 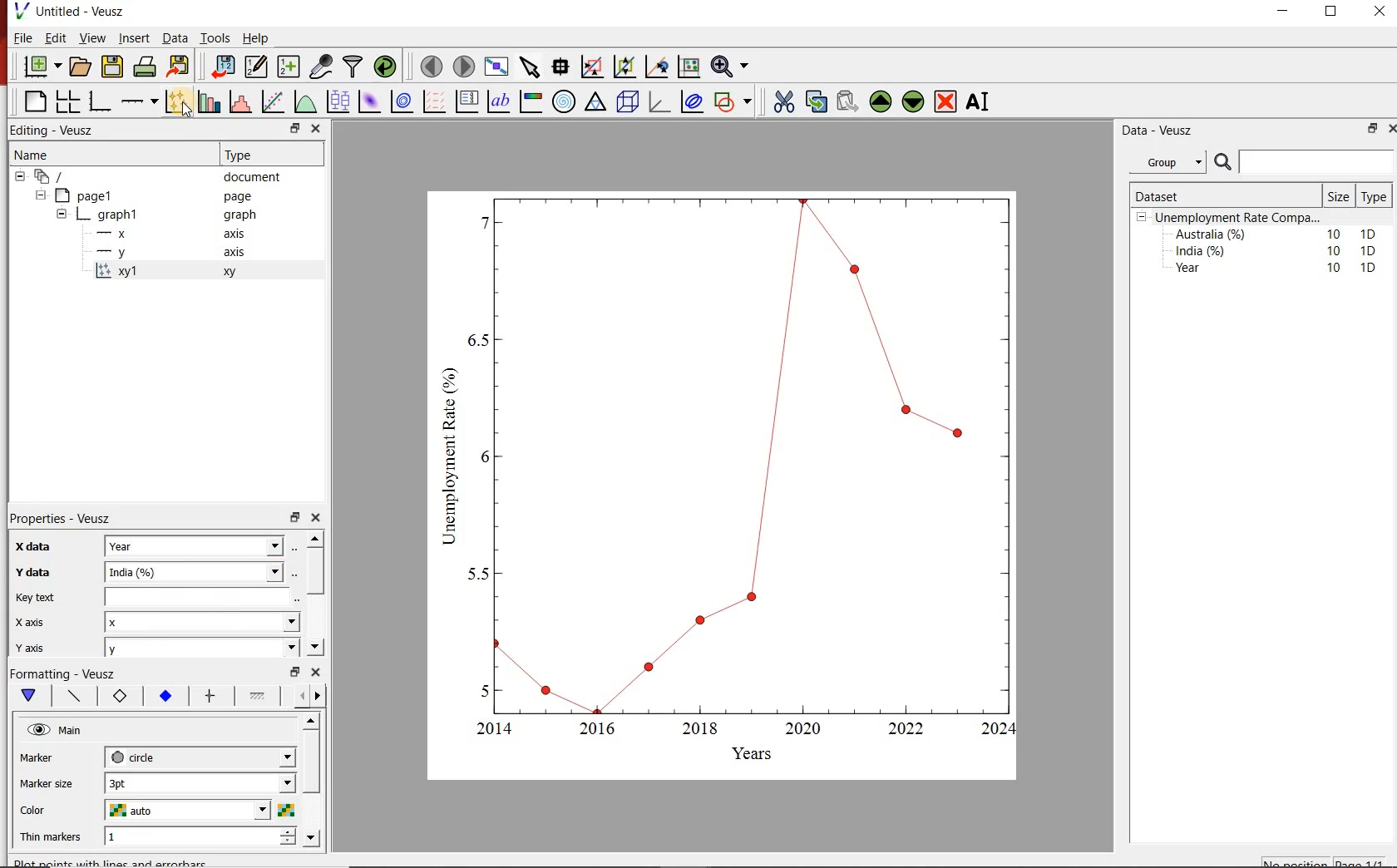 What do you see at coordinates (138, 101) in the screenshot?
I see `add an axis` at bounding box center [138, 101].